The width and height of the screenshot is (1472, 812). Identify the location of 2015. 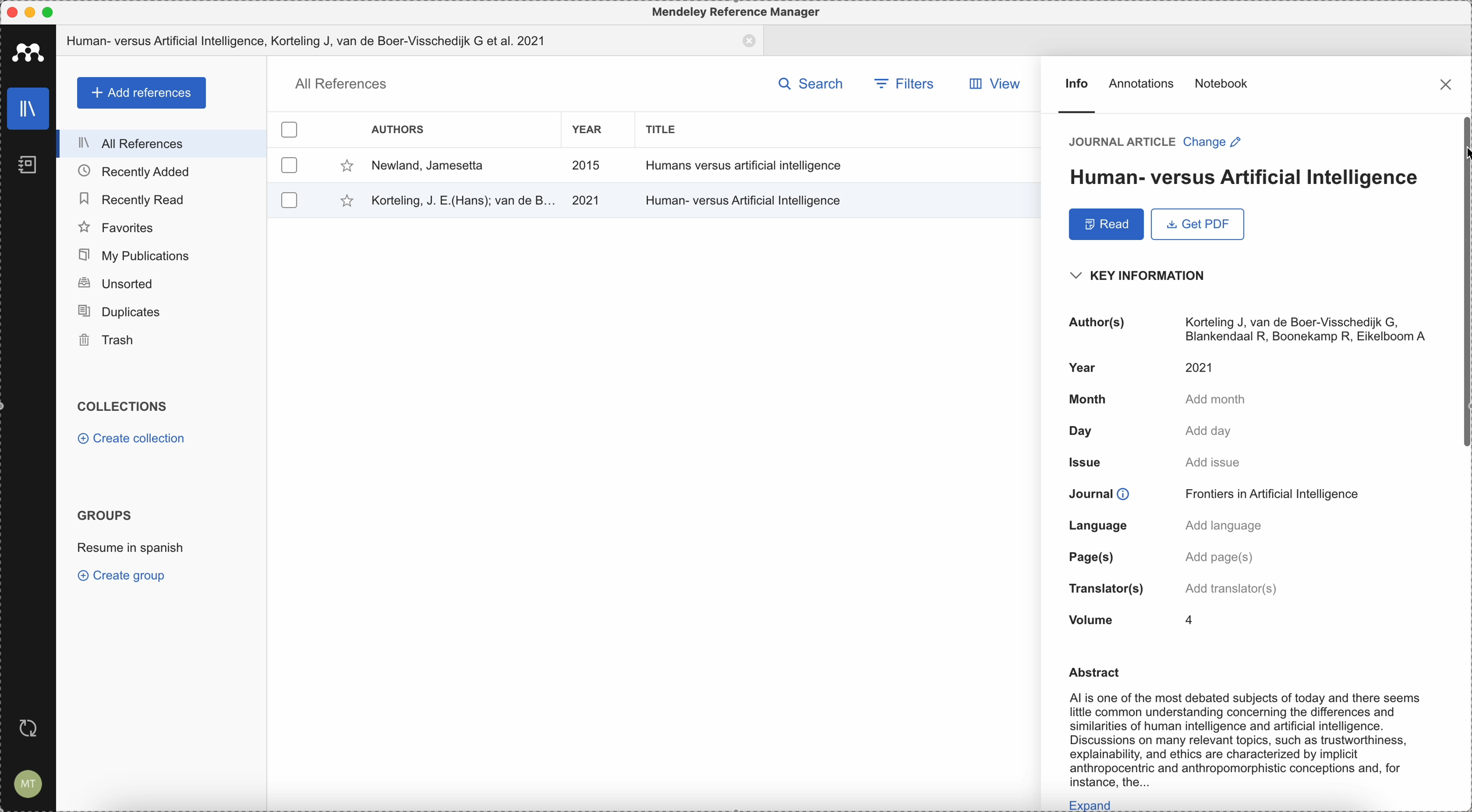
(587, 166).